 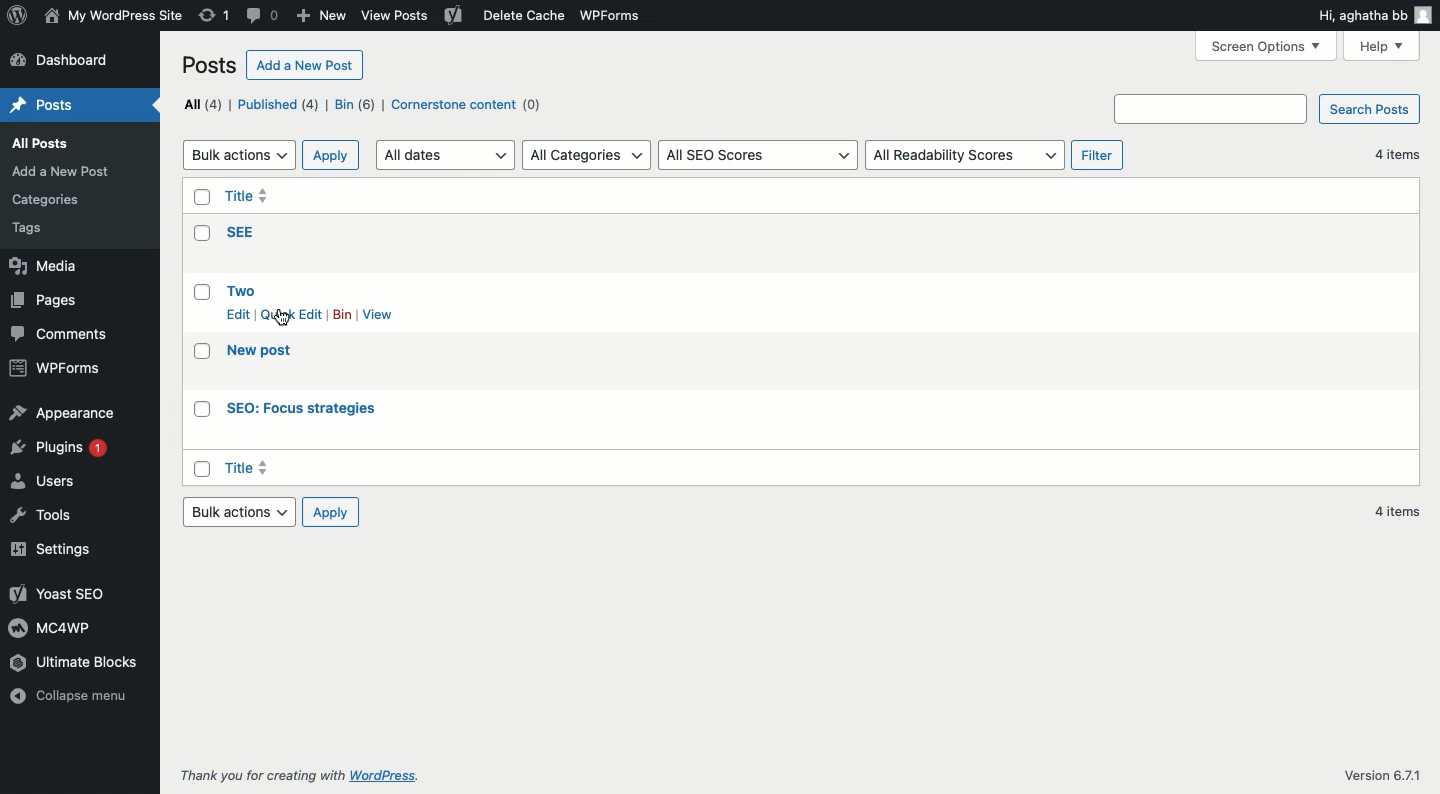 What do you see at coordinates (61, 548) in the screenshot?
I see `Settings` at bounding box center [61, 548].